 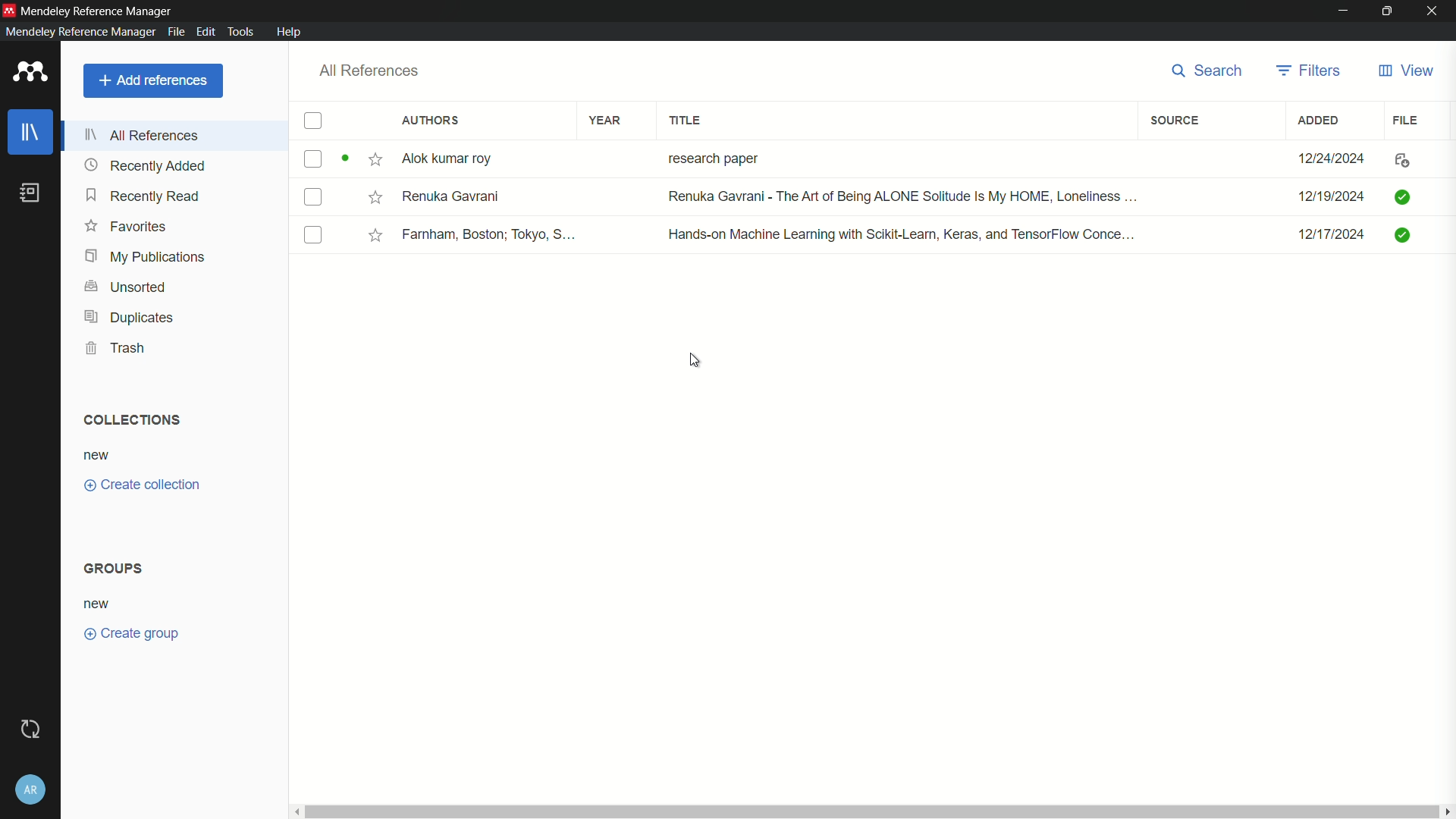 What do you see at coordinates (916, 234) in the screenshot?
I see `book-3` at bounding box center [916, 234].